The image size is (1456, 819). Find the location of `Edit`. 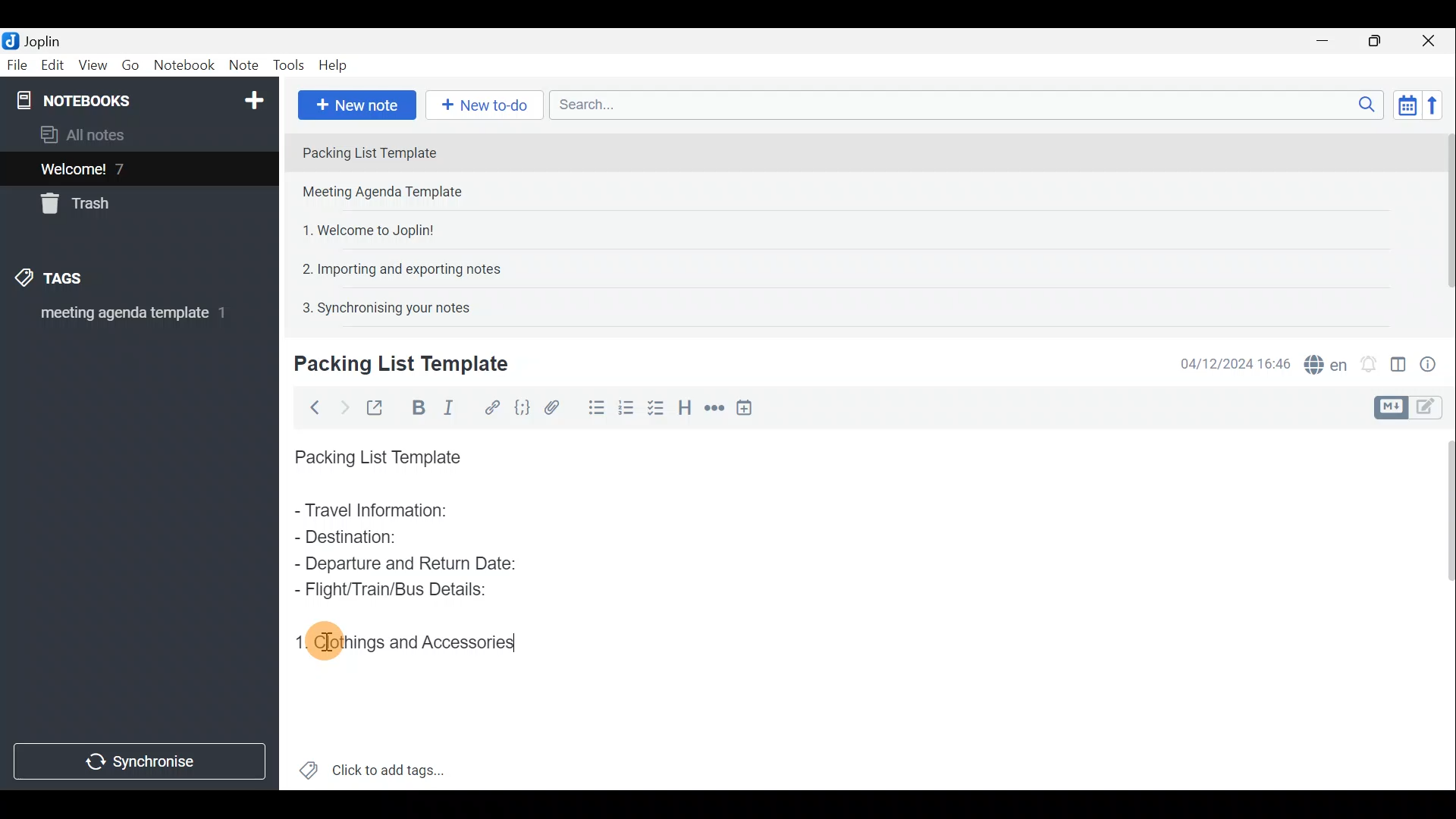

Edit is located at coordinates (49, 66).